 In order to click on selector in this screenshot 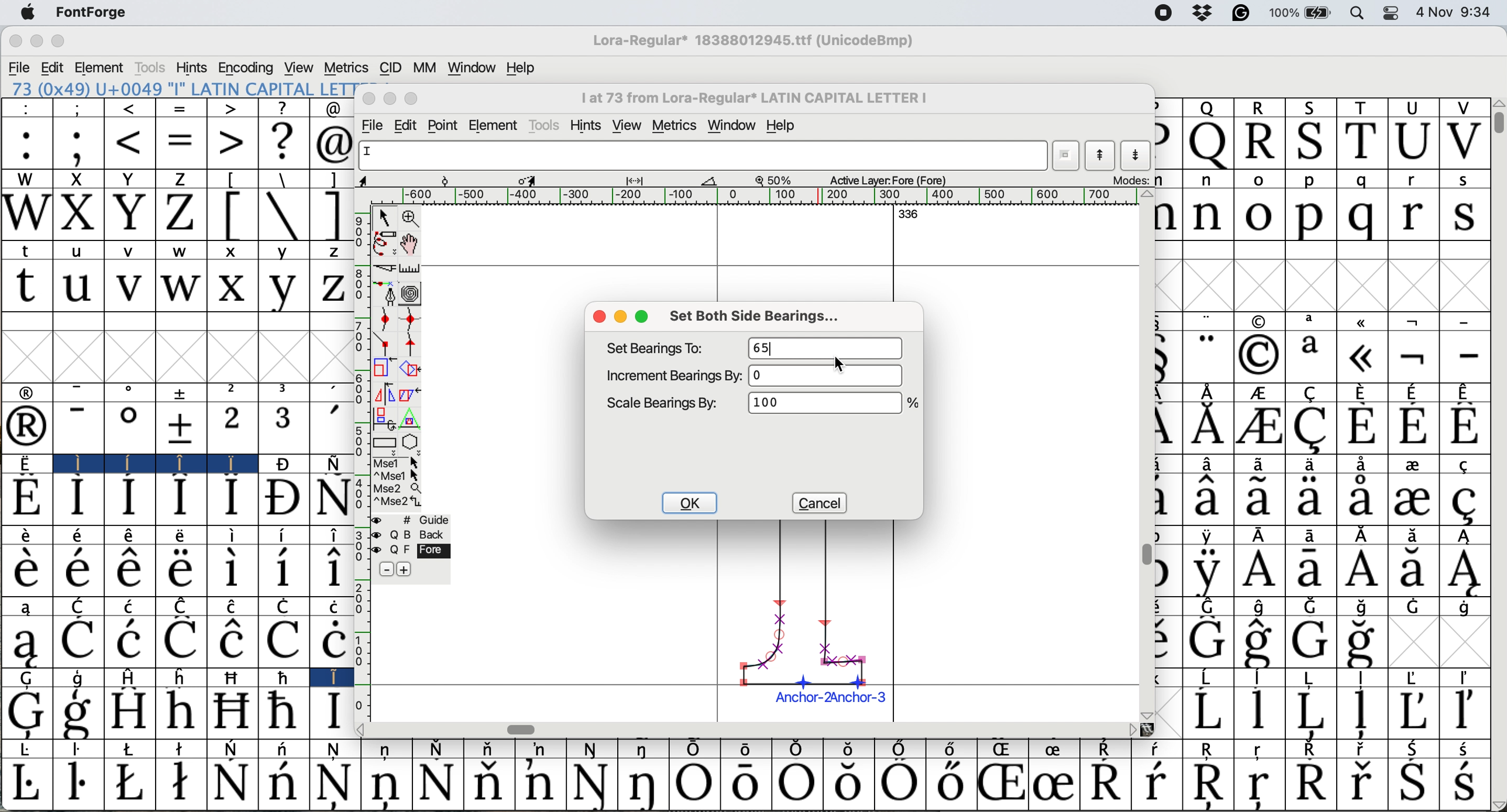, I will do `click(384, 216)`.